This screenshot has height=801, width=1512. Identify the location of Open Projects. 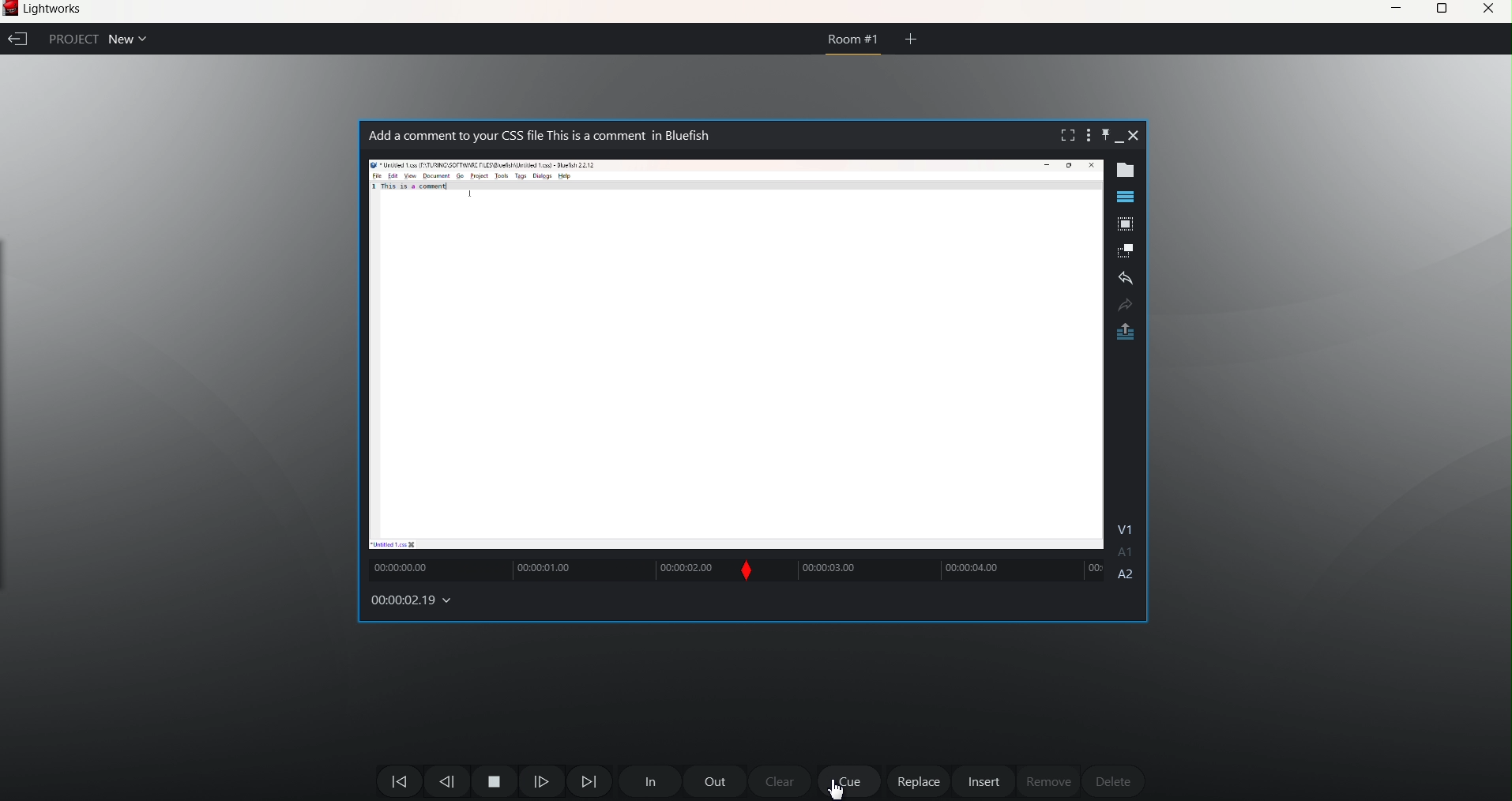
(134, 38).